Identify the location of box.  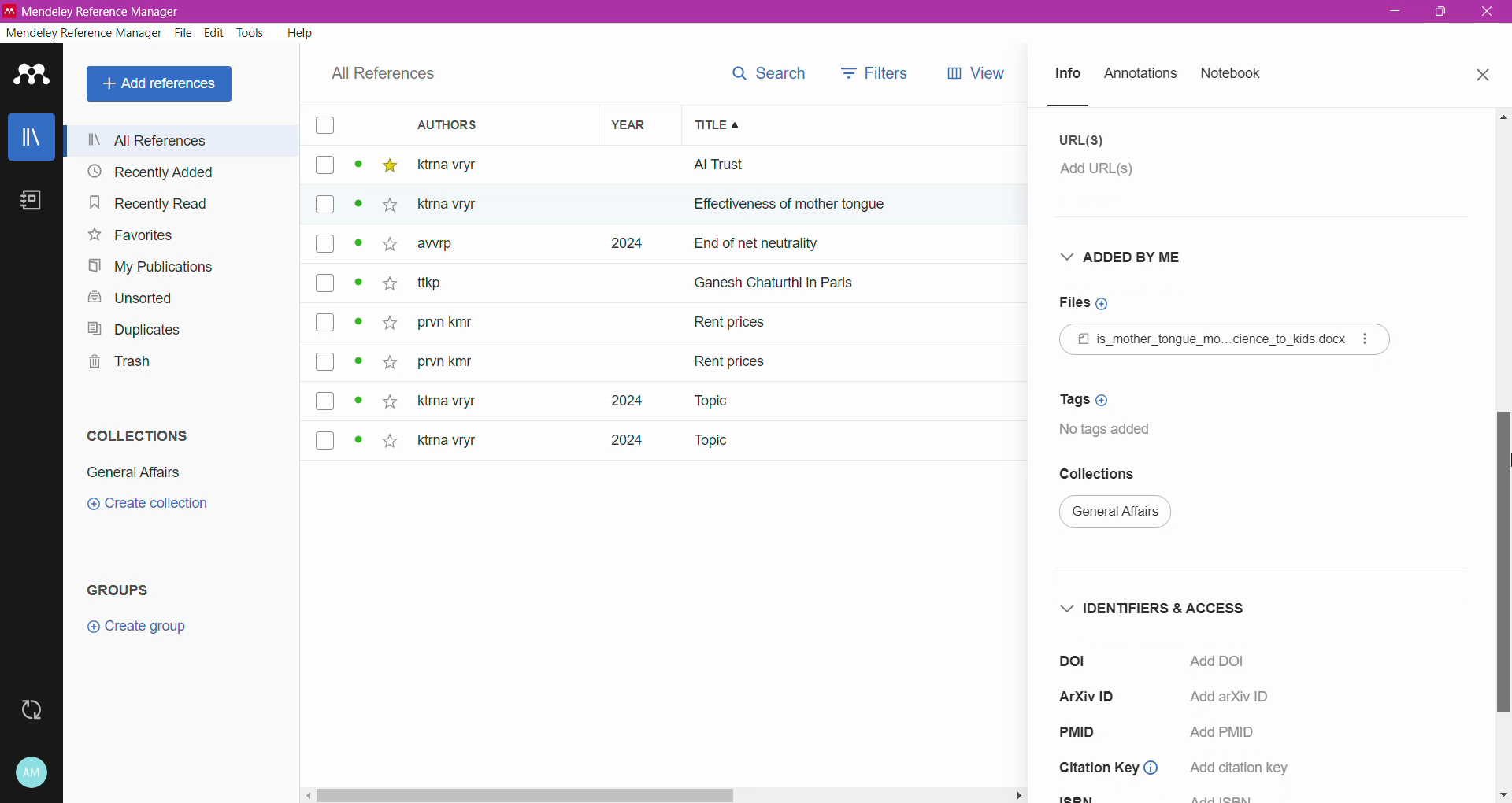
(323, 126).